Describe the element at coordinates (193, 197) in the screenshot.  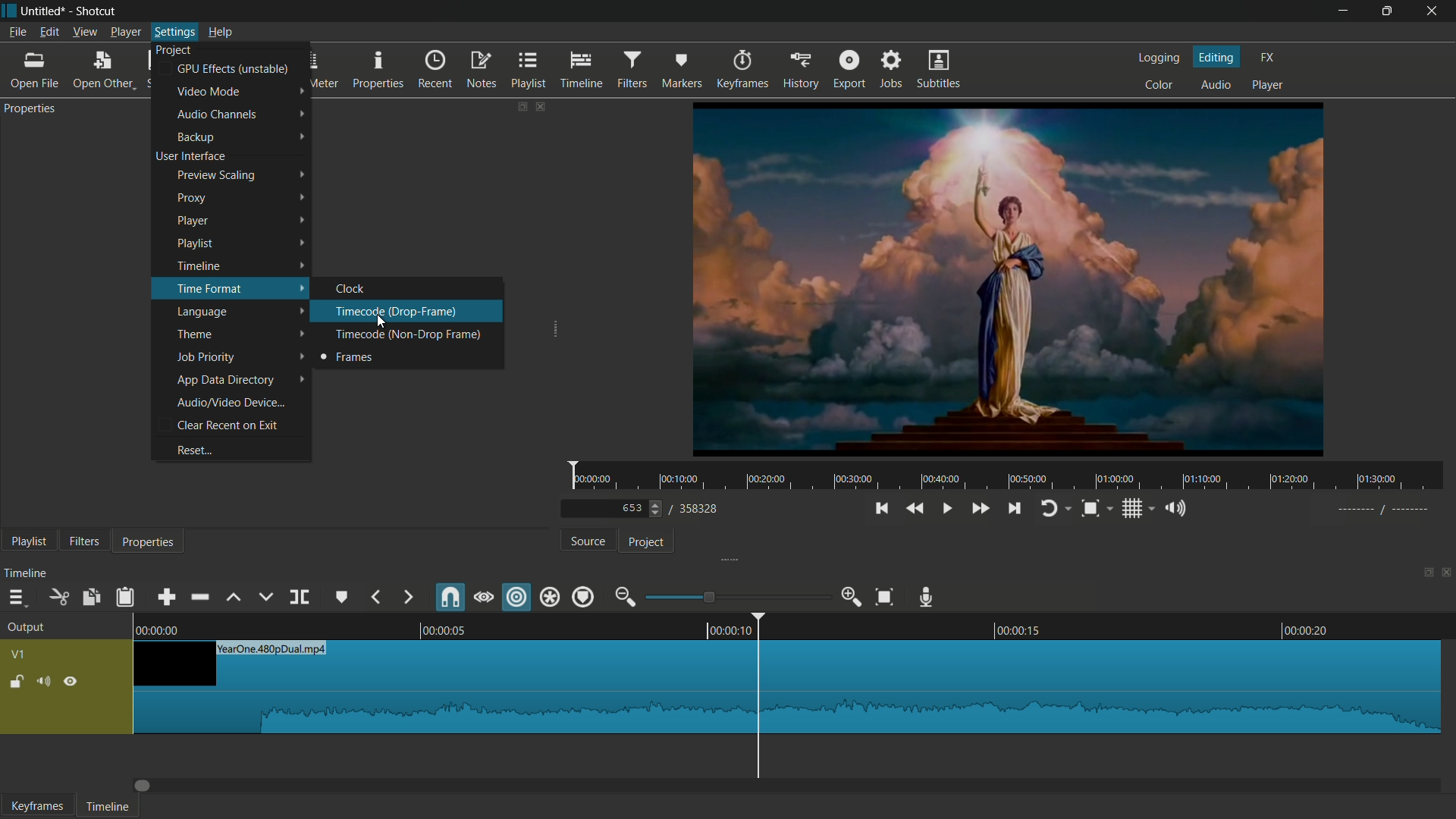
I see `proxy` at that location.